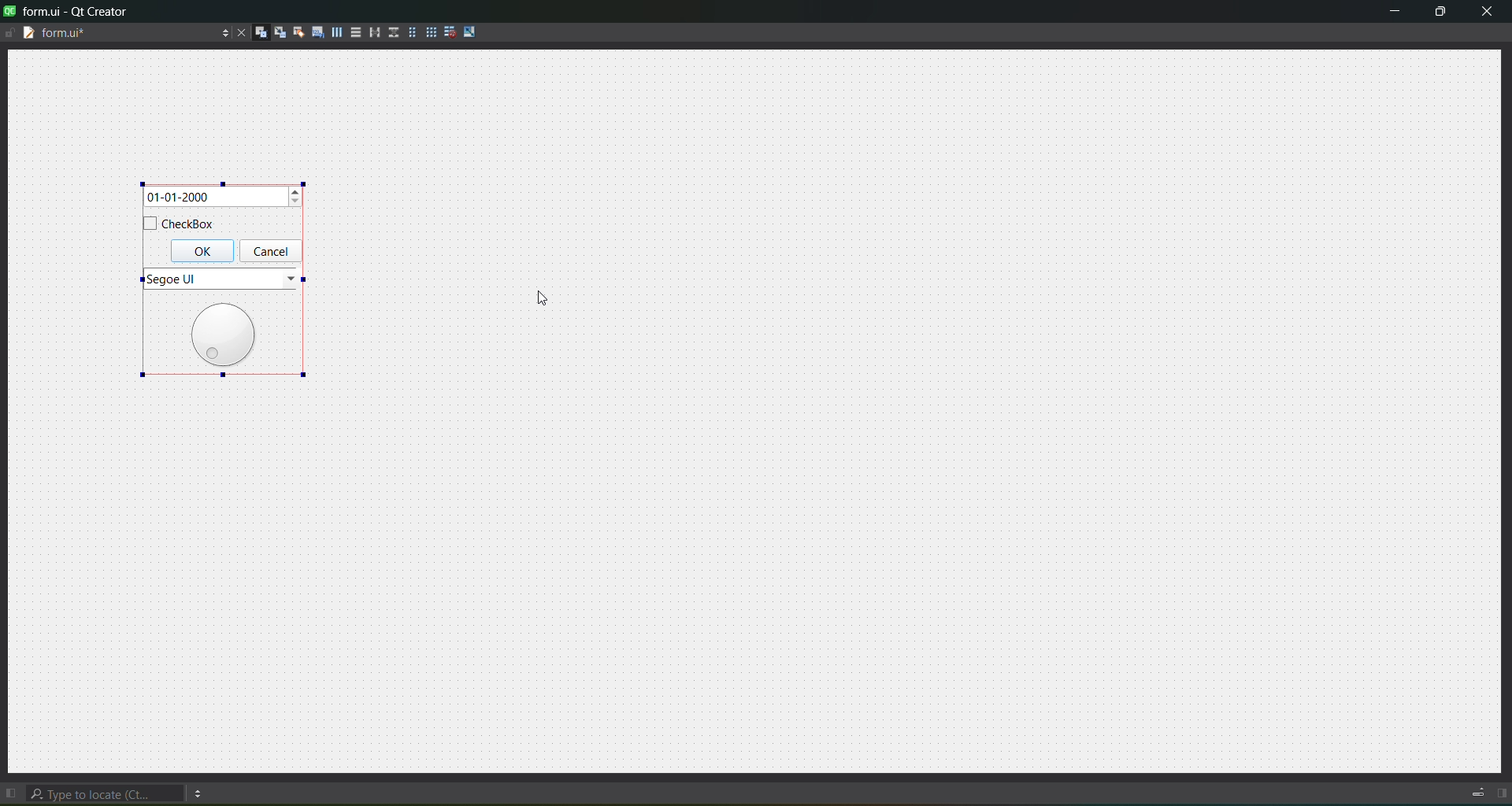 Image resolution: width=1512 pixels, height=806 pixels. I want to click on minimize, so click(1392, 10).